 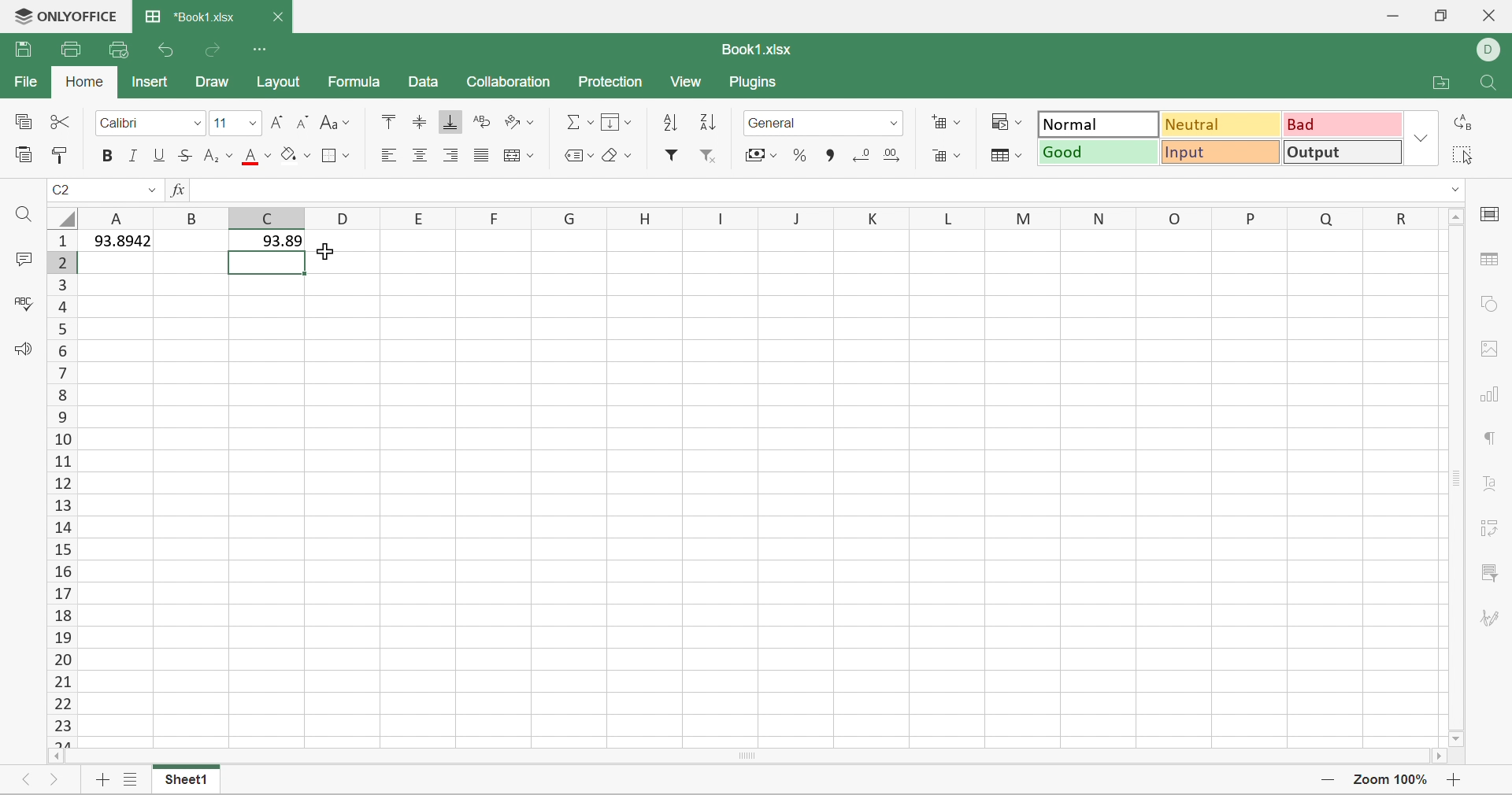 I want to click on Align Left, so click(x=387, y=154).